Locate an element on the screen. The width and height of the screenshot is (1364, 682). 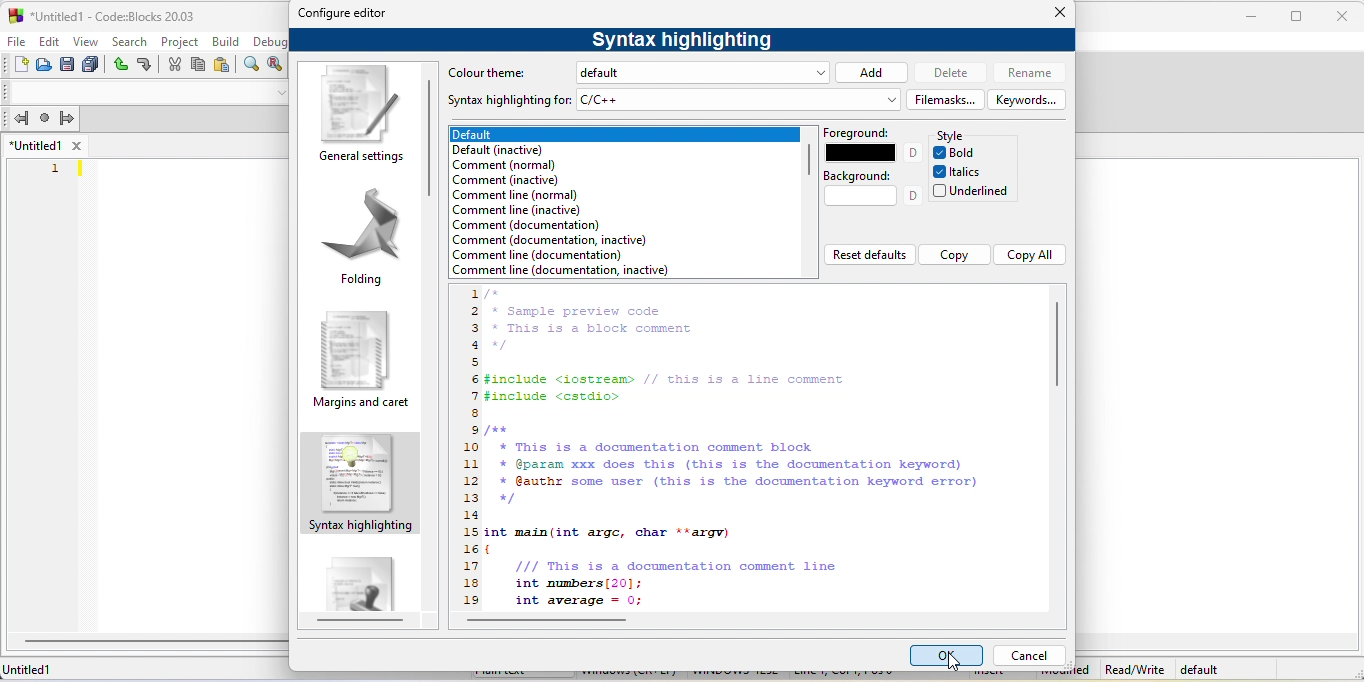
jump forward is located at coordinates (67, 117).